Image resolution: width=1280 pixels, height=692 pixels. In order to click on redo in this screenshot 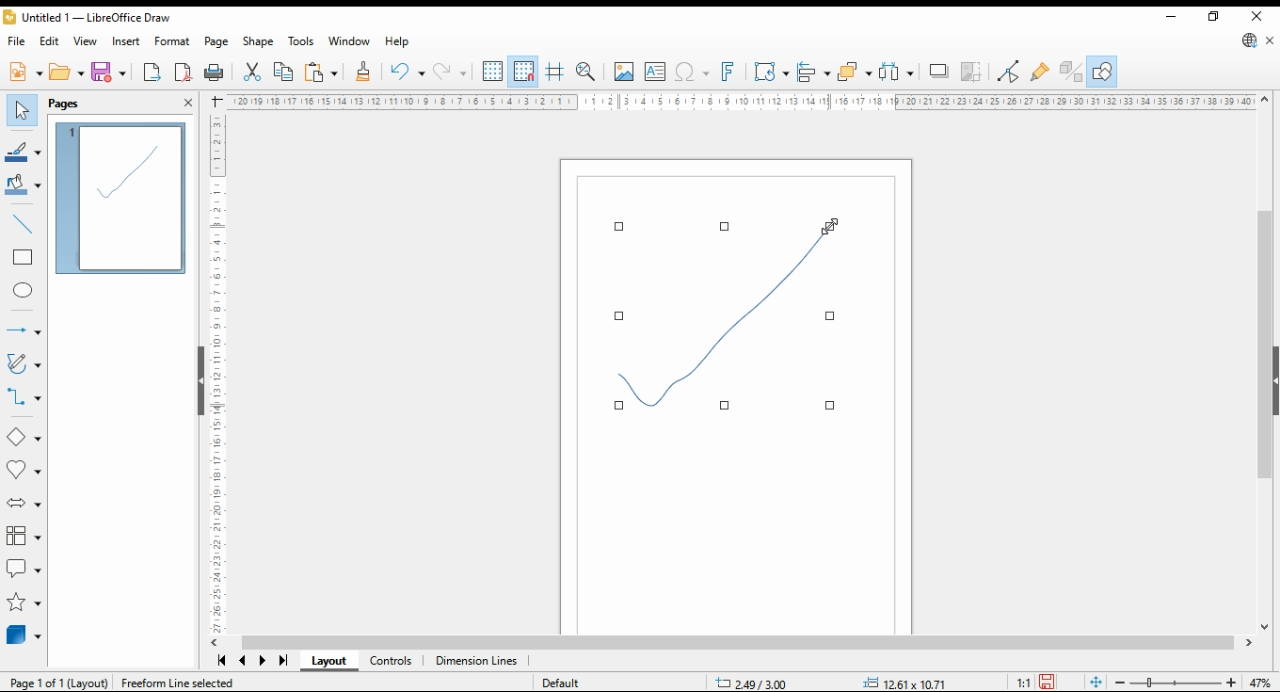, I will do `click(452, 71)`.